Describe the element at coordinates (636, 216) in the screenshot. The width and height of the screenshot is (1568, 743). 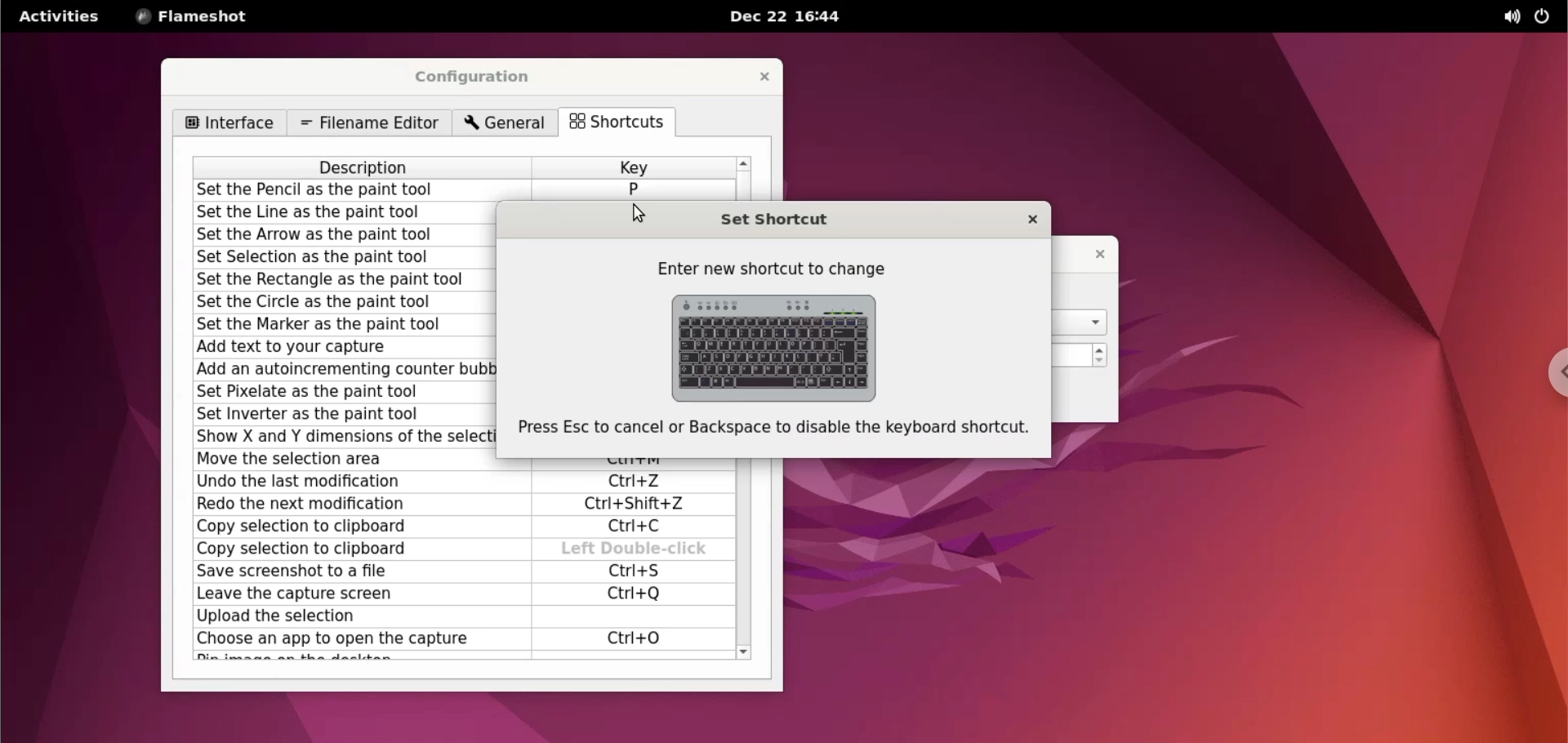
I see `cursor navigation` at that location.